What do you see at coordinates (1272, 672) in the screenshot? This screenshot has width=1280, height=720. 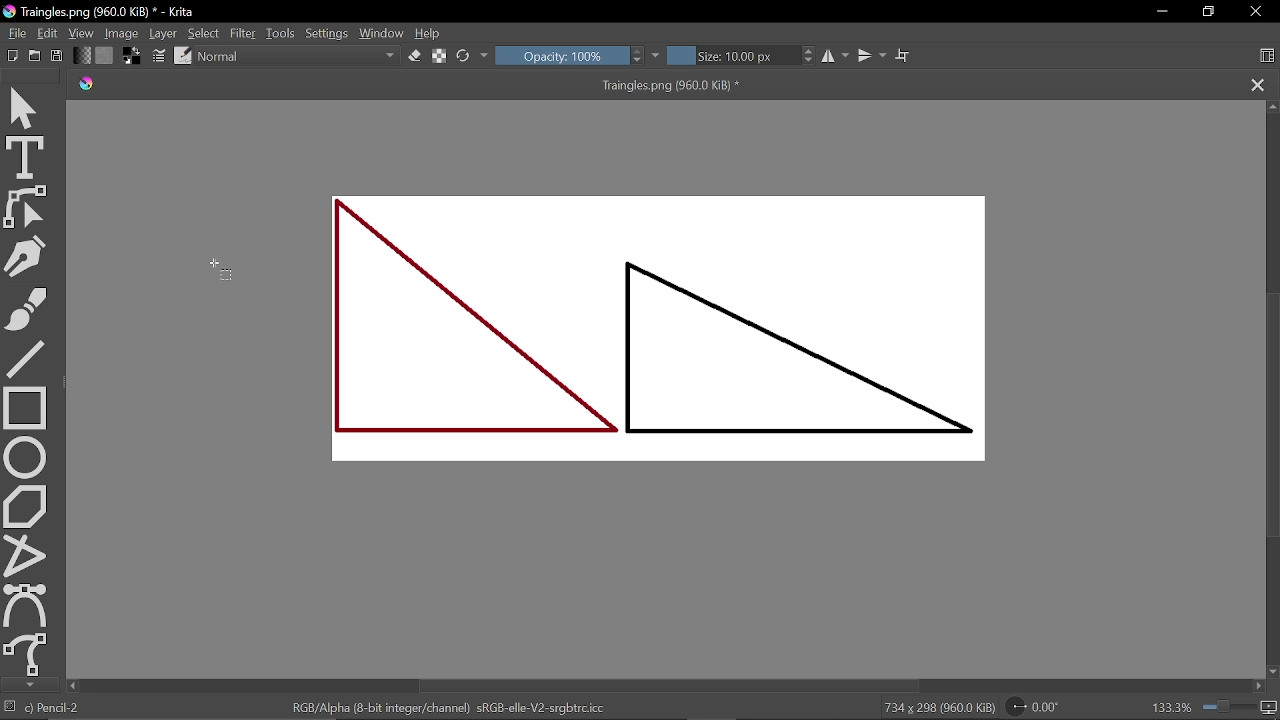 I see `Move down` at bounding box center [1272, 672].